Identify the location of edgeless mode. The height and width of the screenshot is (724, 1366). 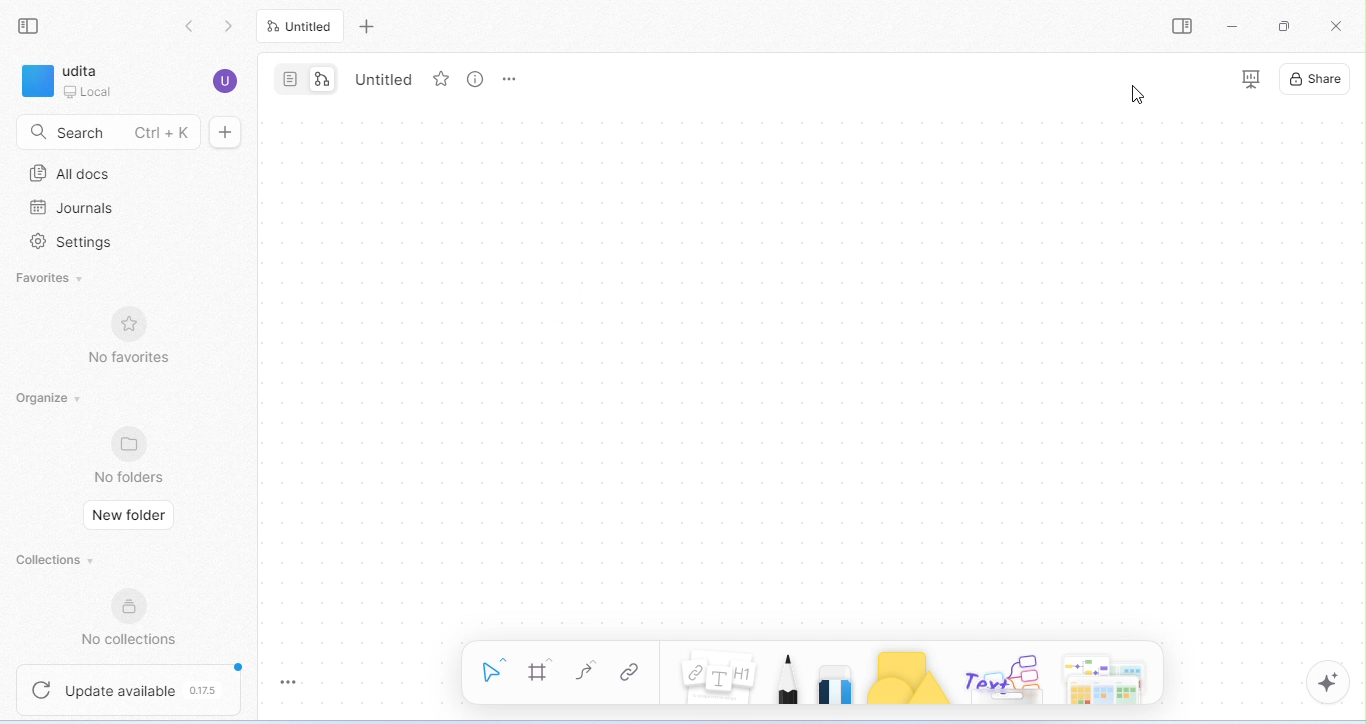
(324, 79).